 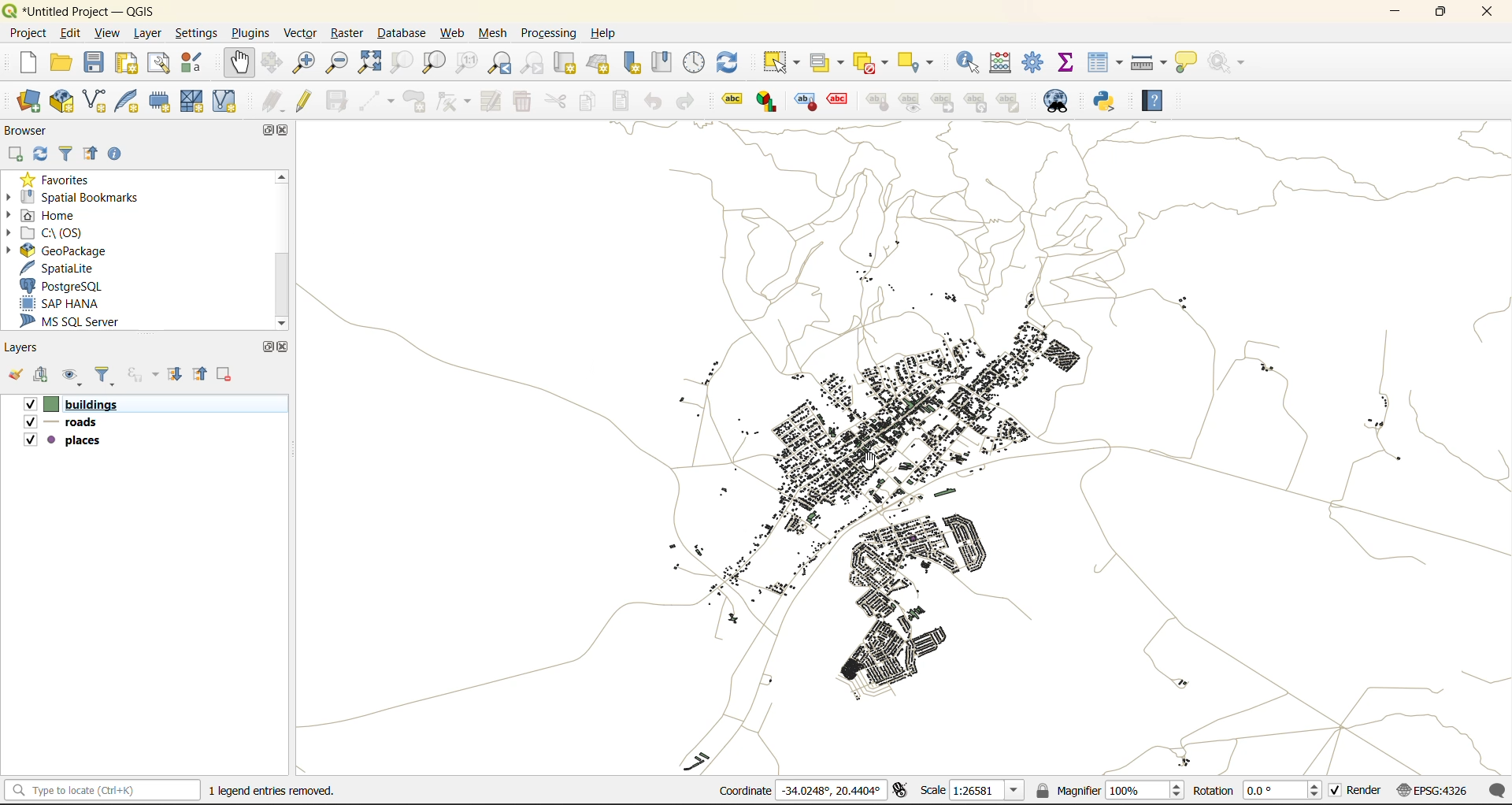 What do you see at coordinates (228, 99) in the screenshot?
I see `new virtual layer` at bounding box center [228, 99].